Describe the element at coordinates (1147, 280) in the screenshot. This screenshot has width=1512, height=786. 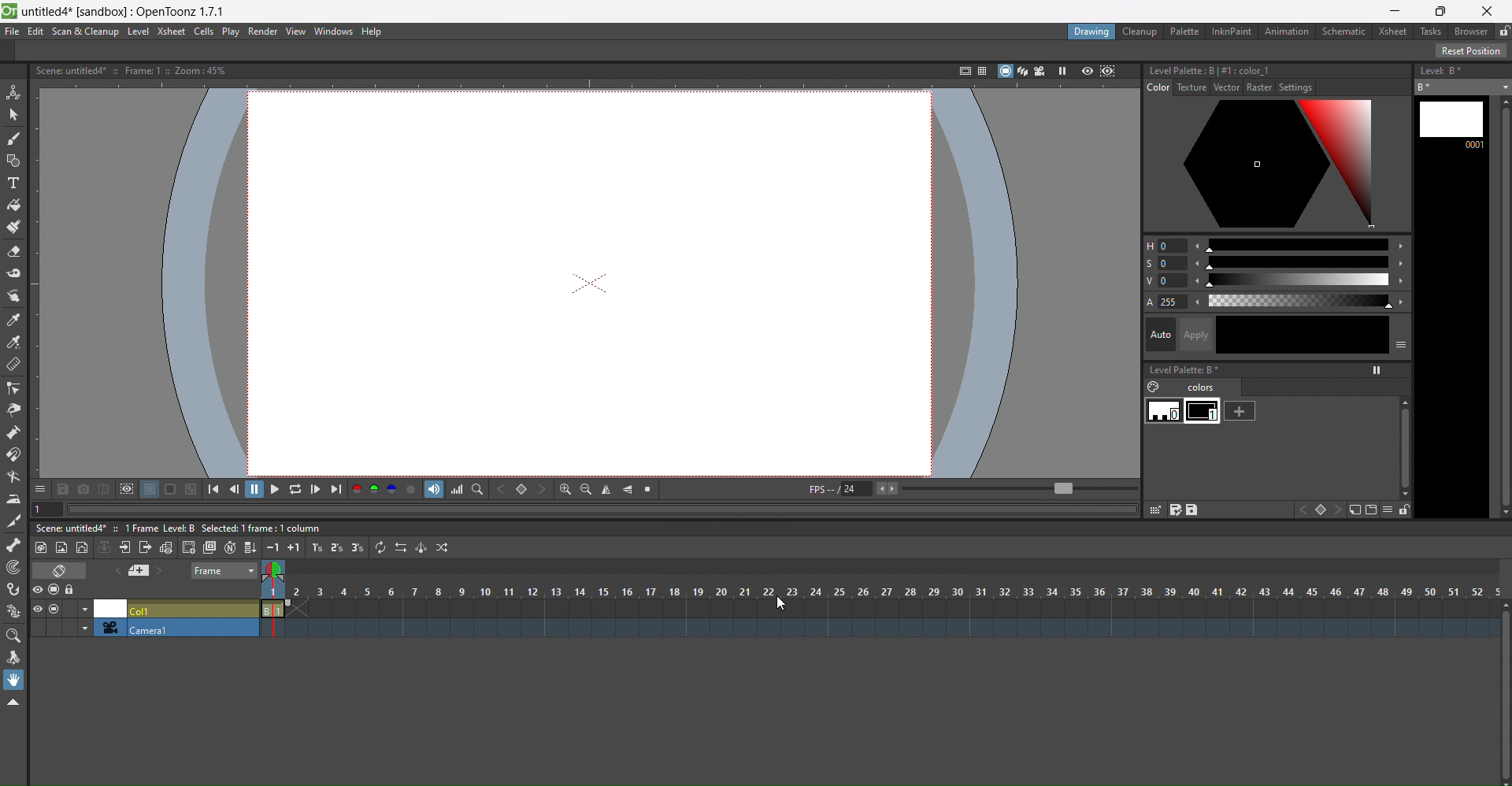
I see `V` at that location.